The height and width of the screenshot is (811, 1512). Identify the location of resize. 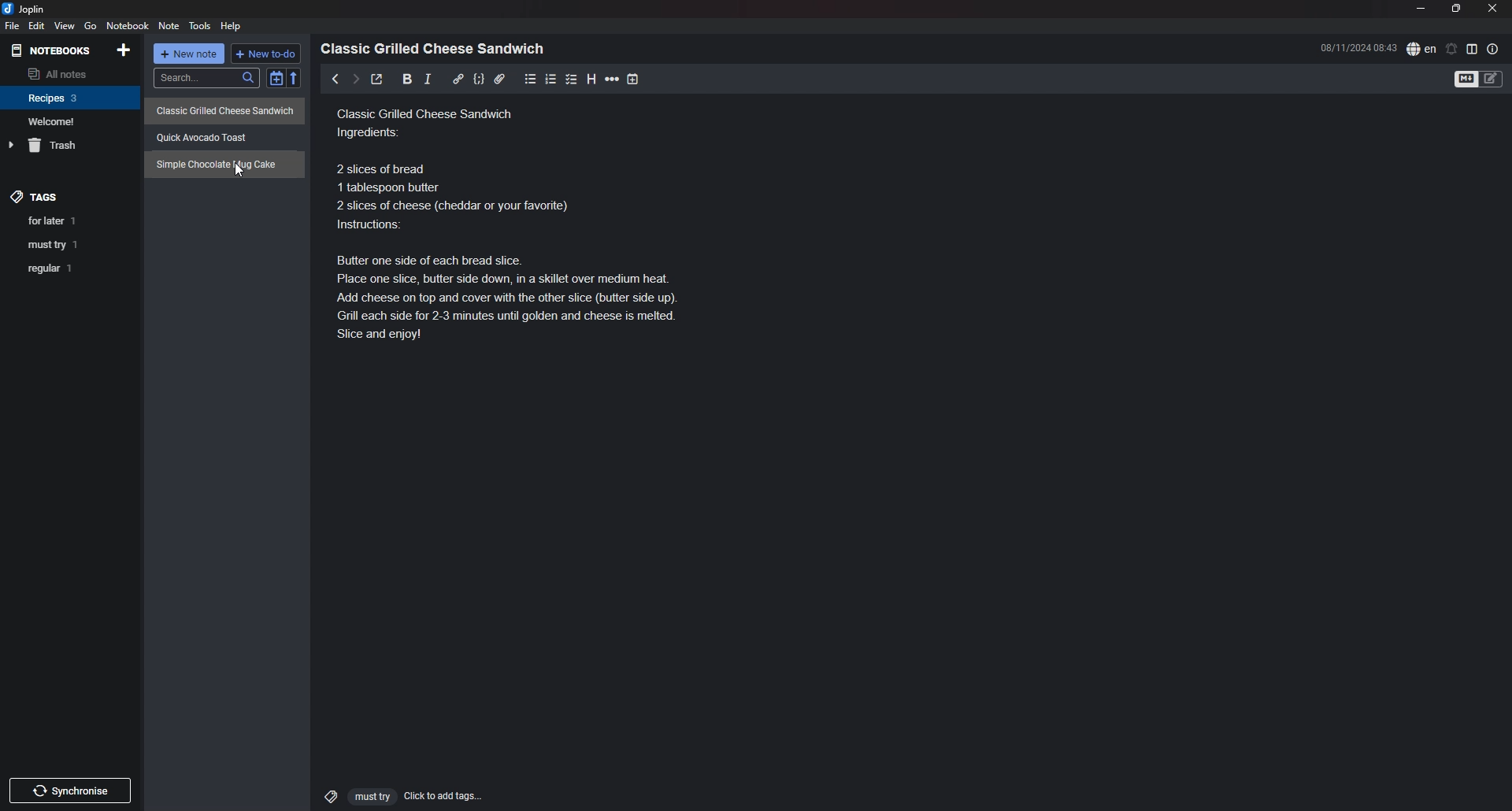
(1456, 9).